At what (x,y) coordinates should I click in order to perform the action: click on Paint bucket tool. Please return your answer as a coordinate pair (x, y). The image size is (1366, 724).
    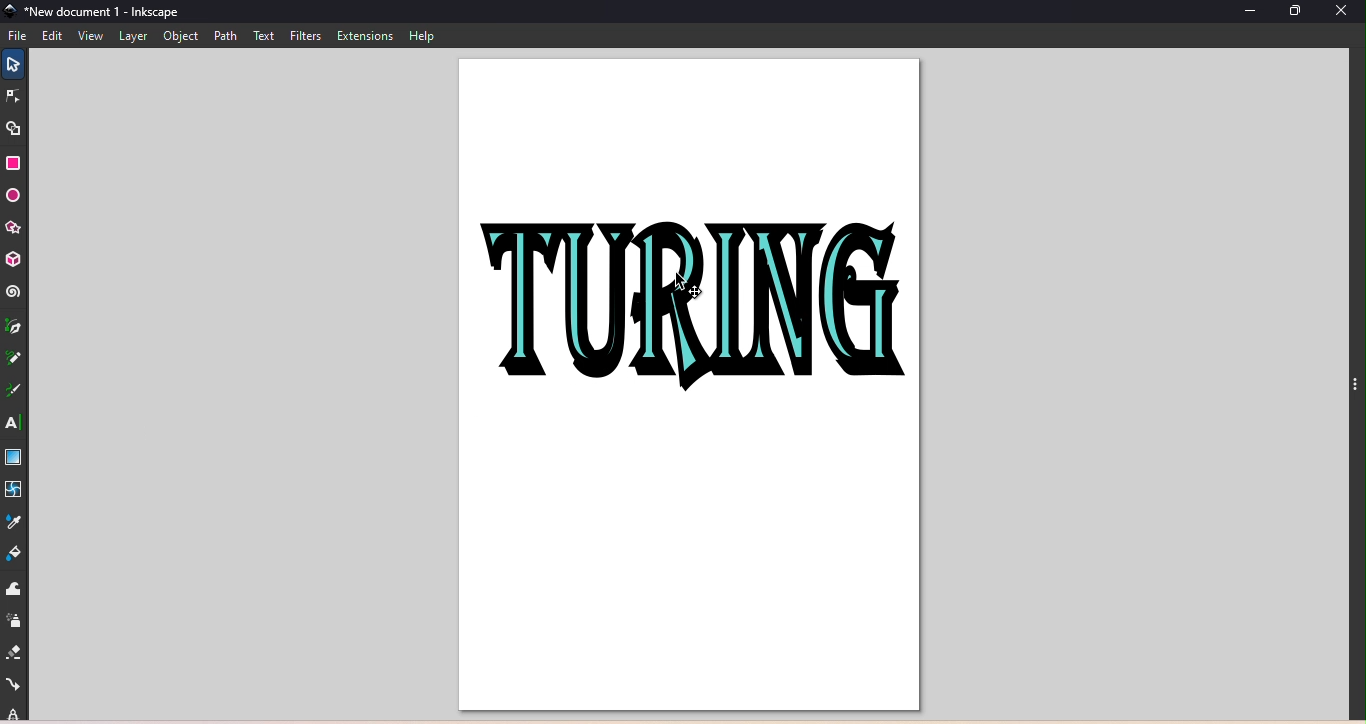
    Looking at the image, I should click on (19, 553).